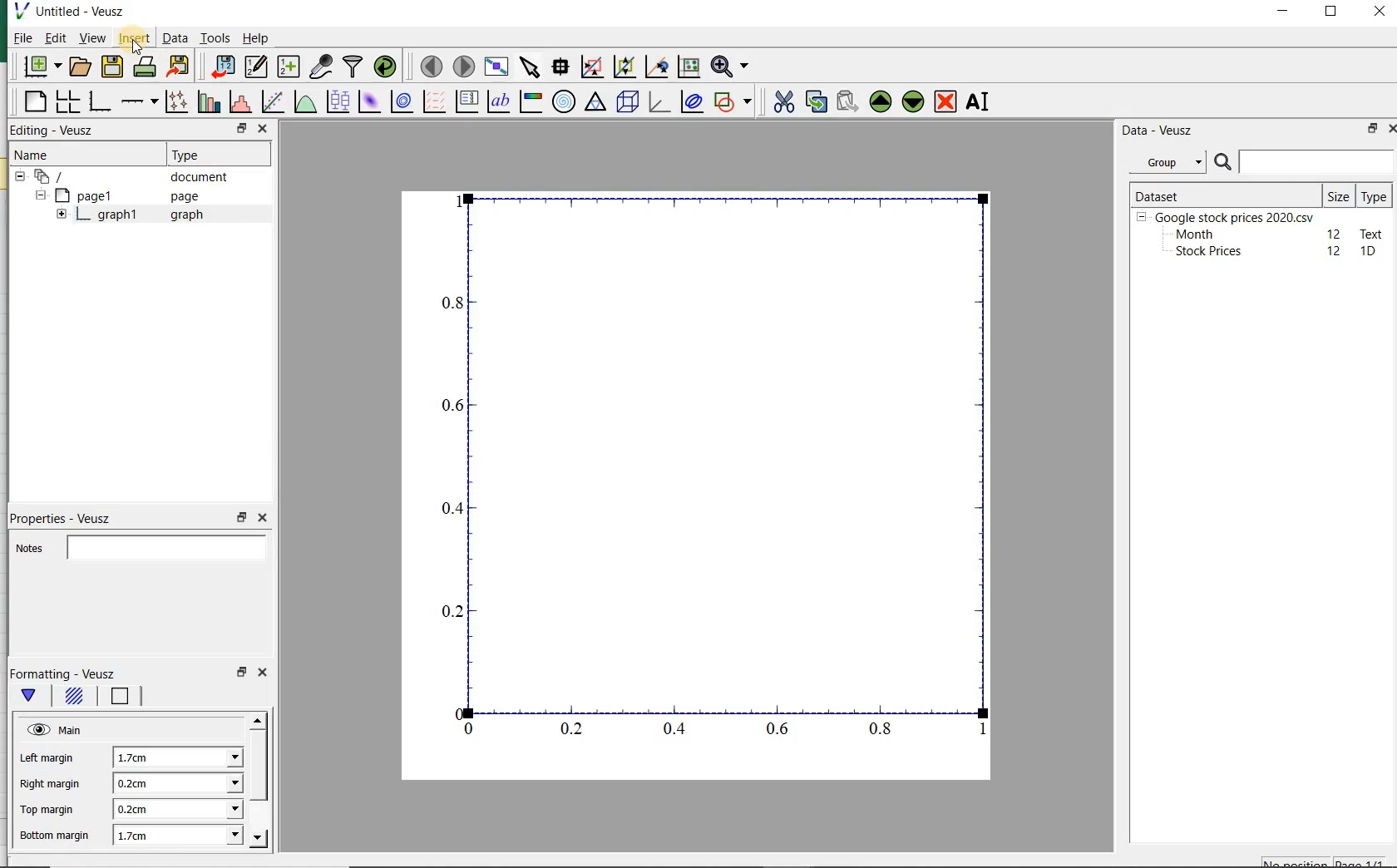 The width and height of the screenshot is (1397, 868). Describe the element at coordinates (881, 101) in the screenshot. I see `move the selected widget up` at that location.